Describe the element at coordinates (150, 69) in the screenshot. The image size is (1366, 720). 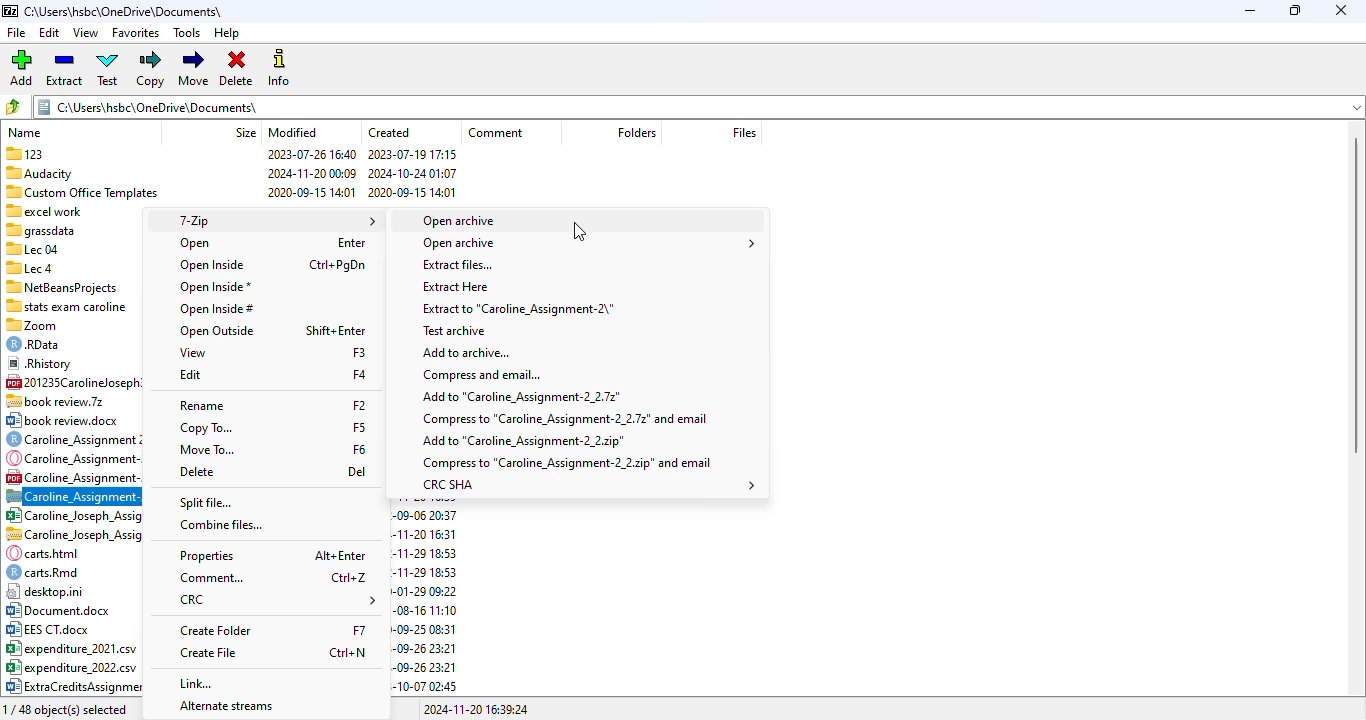
I see `copy` at that location.